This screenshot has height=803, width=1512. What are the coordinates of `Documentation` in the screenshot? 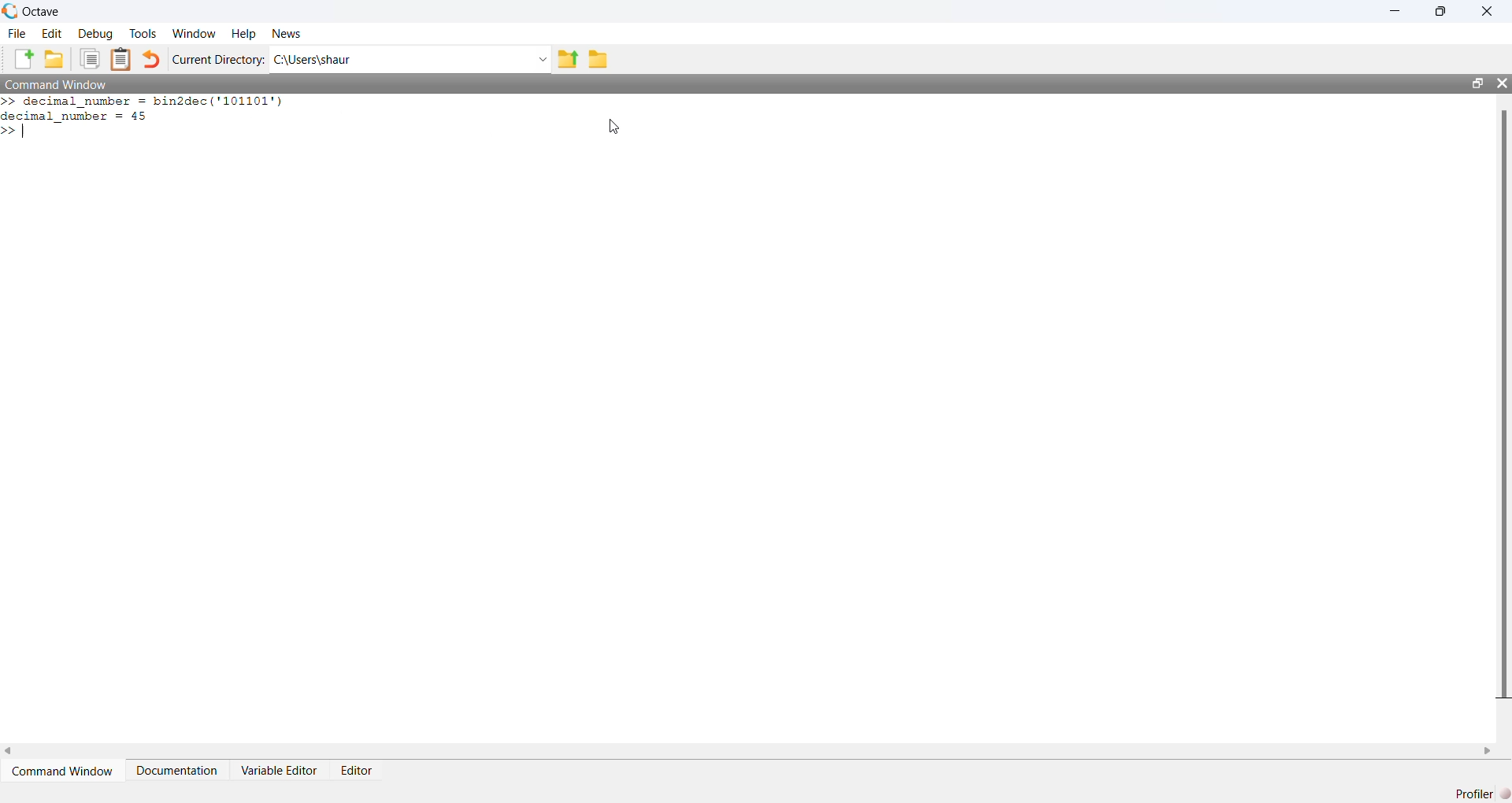 It's located at (177, 771).